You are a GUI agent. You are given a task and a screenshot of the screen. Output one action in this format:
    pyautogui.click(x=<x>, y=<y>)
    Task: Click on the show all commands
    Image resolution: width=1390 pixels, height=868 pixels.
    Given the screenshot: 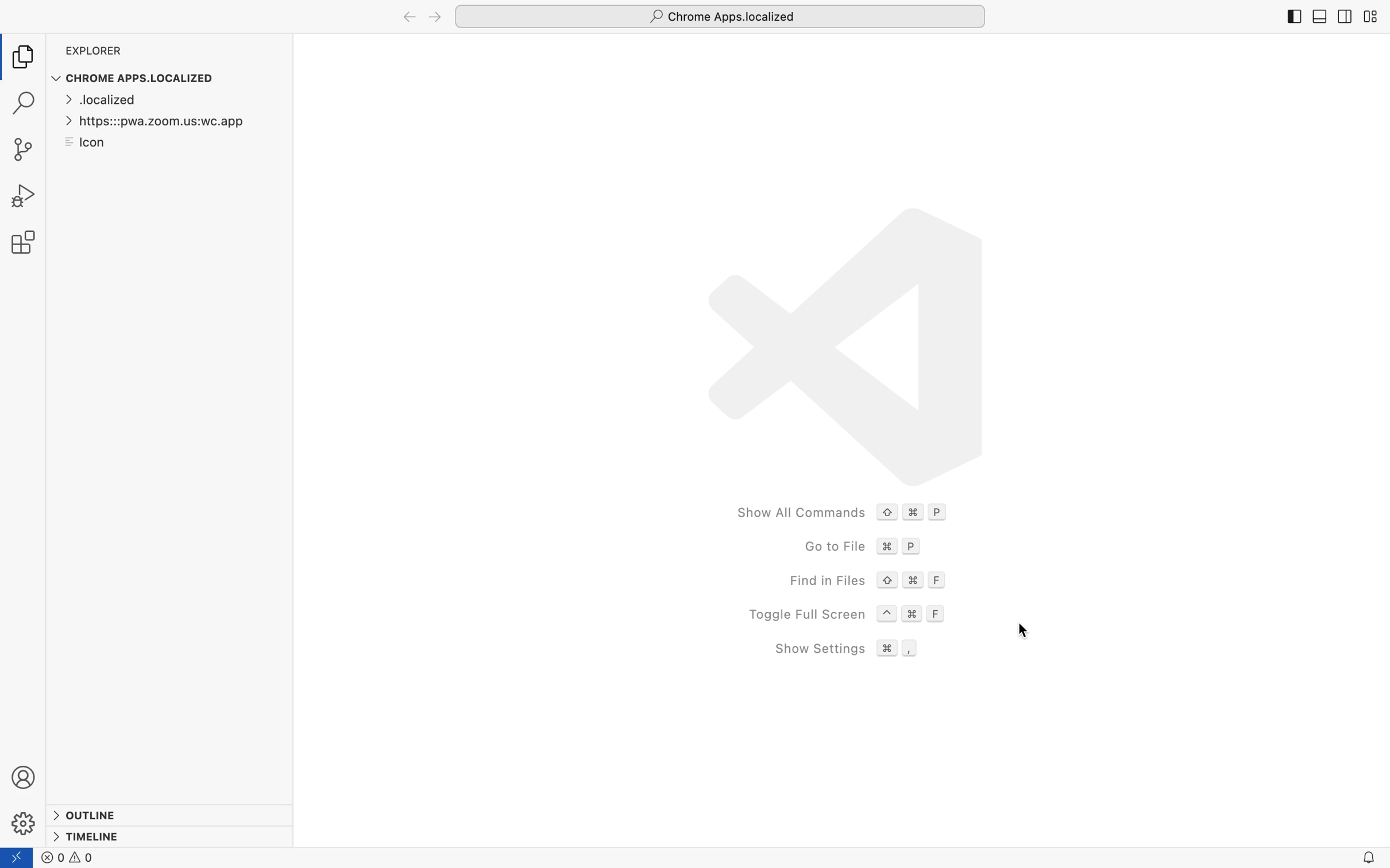 What is the action you would take?
    pyautogui.click(x=850, y=511)
    